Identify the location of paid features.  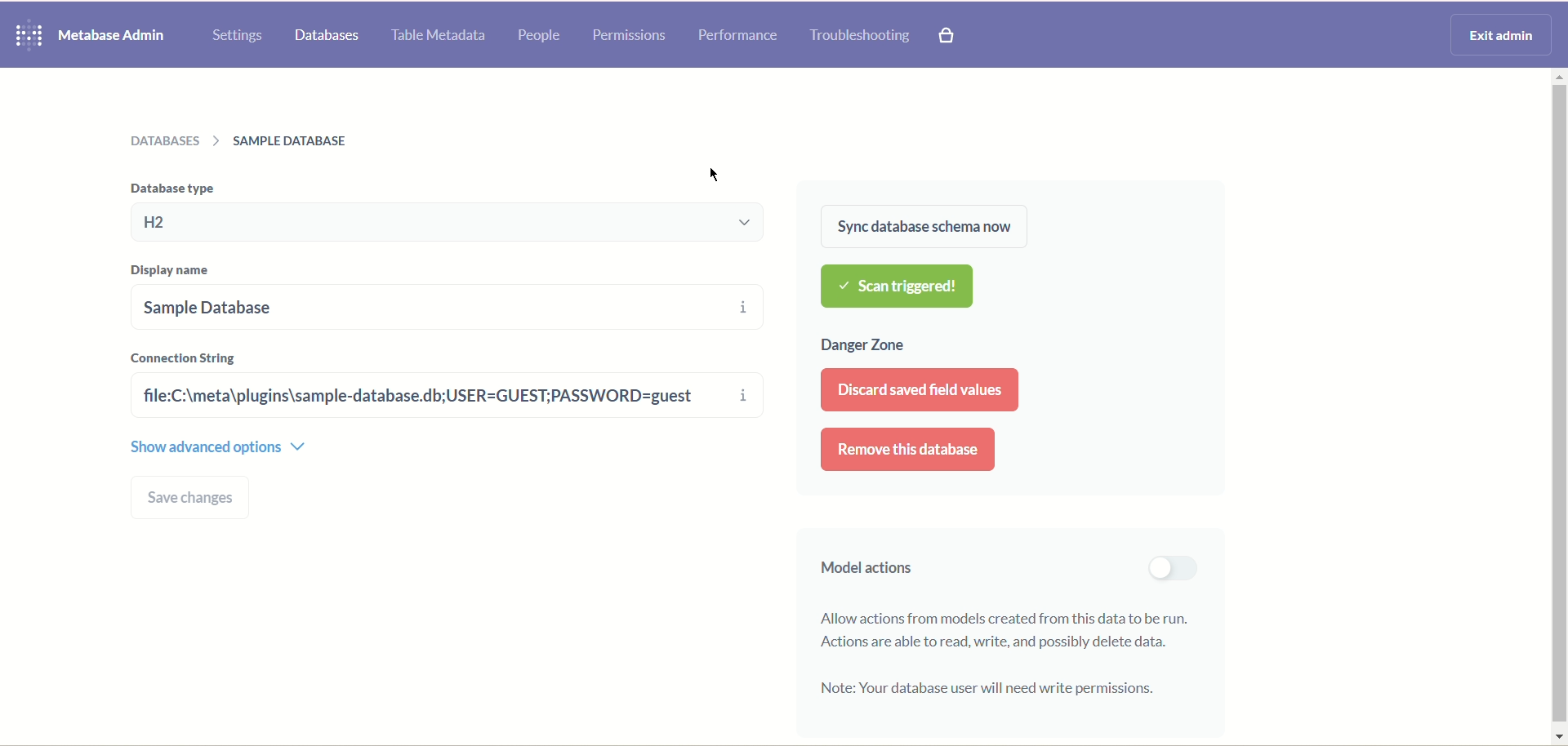
(950, 38).